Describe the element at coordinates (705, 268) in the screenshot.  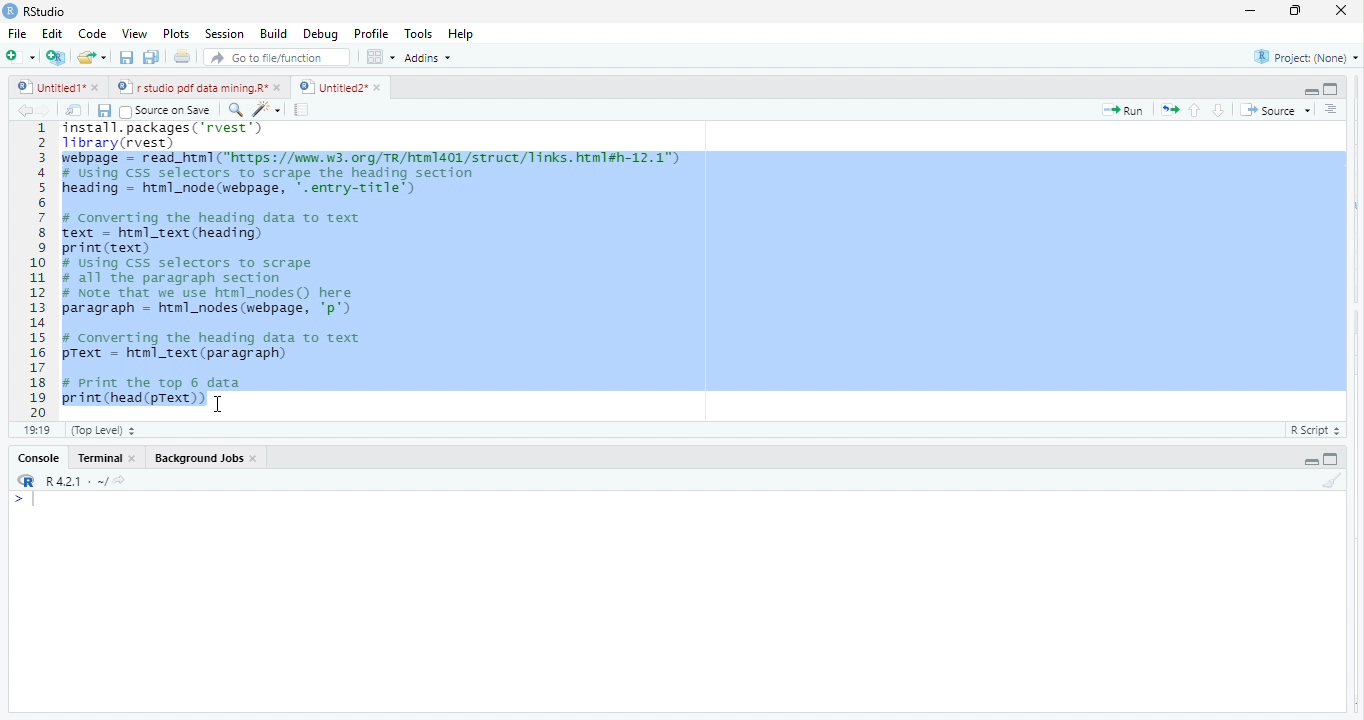
I see `SESTATE. PELEIgESL. Vewes J
Tibrary(rvest)|

Febpage = read_htm1 (https: //mm.w3. org/TR/htm1401/struct/Tinks. html#h-12.1")
# Using Css selectors to scrape the heading section

heading = html_node (webpage, '.entry-title')

# Converting the heading data to text

text = htnl_text (heading)

print (text)

# using Css selectors to scrape

# all the paragraph section

# Note that we use html_nodes() here

paragraph = html_nodes (webpage, 'p')

# Converting the heading data to text

pText = html_text (paragraph)

# Print the top 6 data

pl by -silhary-. +304` at that location.